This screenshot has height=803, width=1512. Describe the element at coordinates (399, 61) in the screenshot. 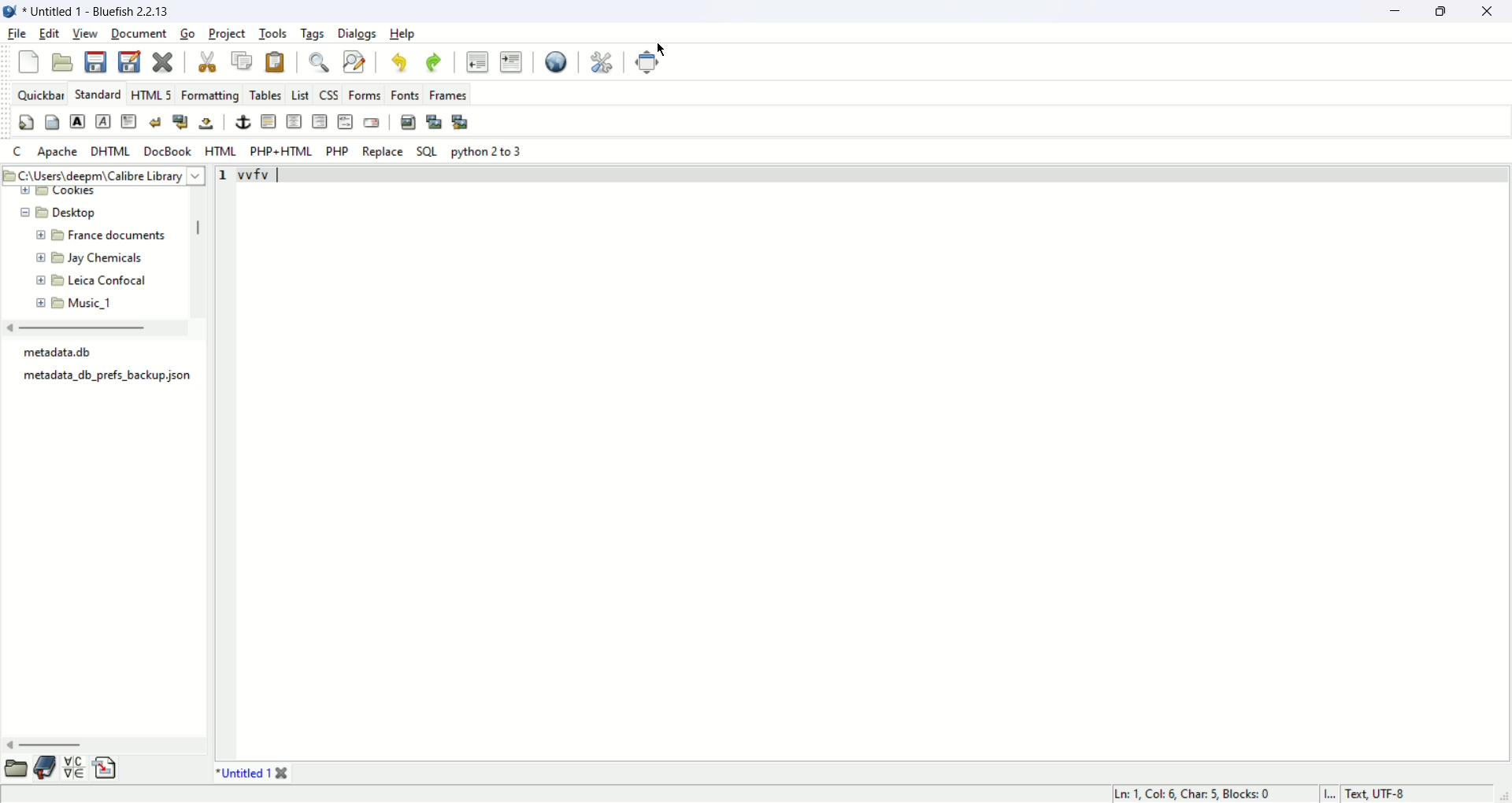

I see `undo` at that location.